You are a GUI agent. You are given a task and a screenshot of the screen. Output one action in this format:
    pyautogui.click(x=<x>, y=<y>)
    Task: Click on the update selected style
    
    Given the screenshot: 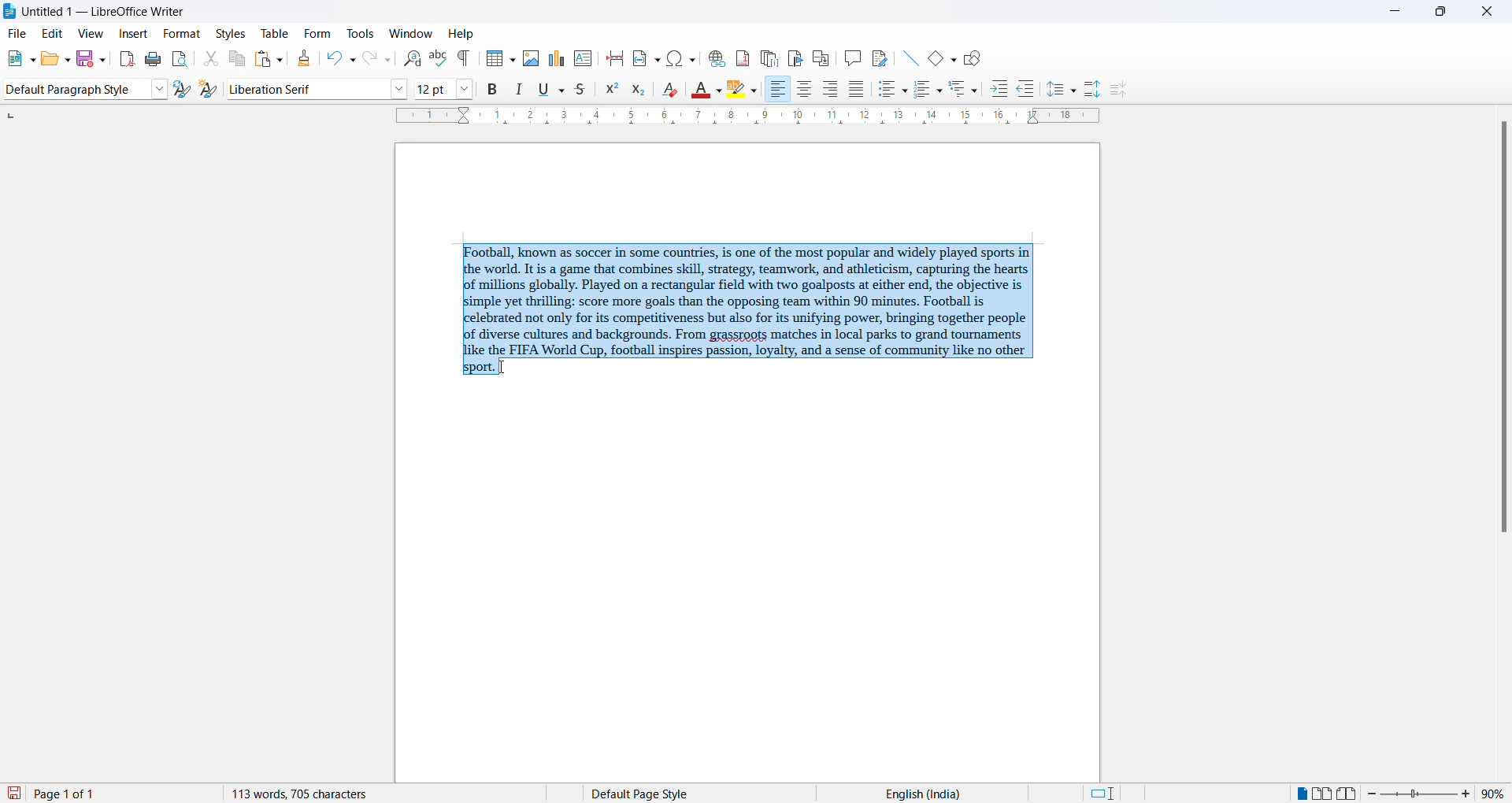 What is the action you would take?
    pyautogui.click(x=182, y=89)
    